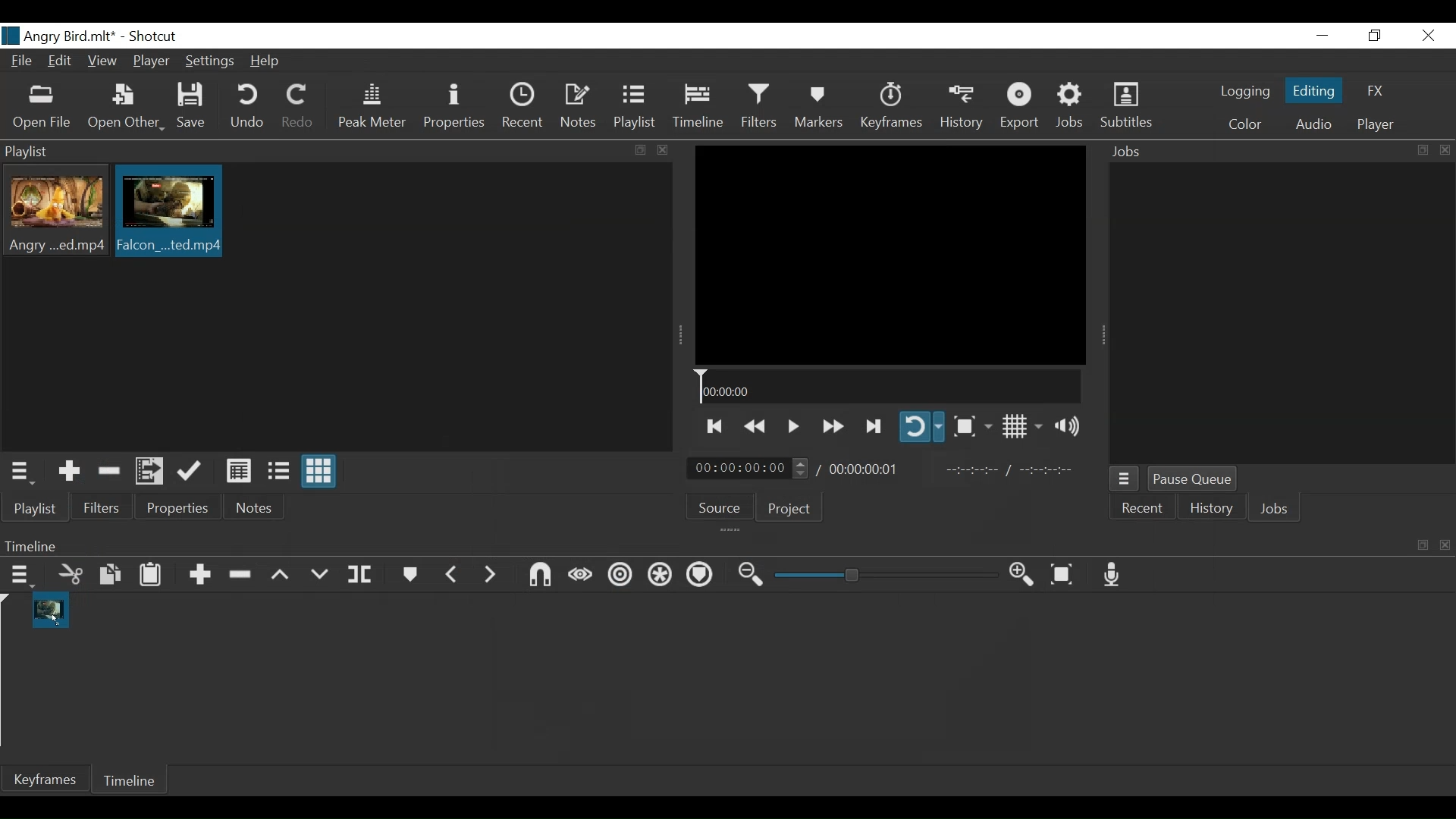  I want to click on Recent, so click(524, 104).